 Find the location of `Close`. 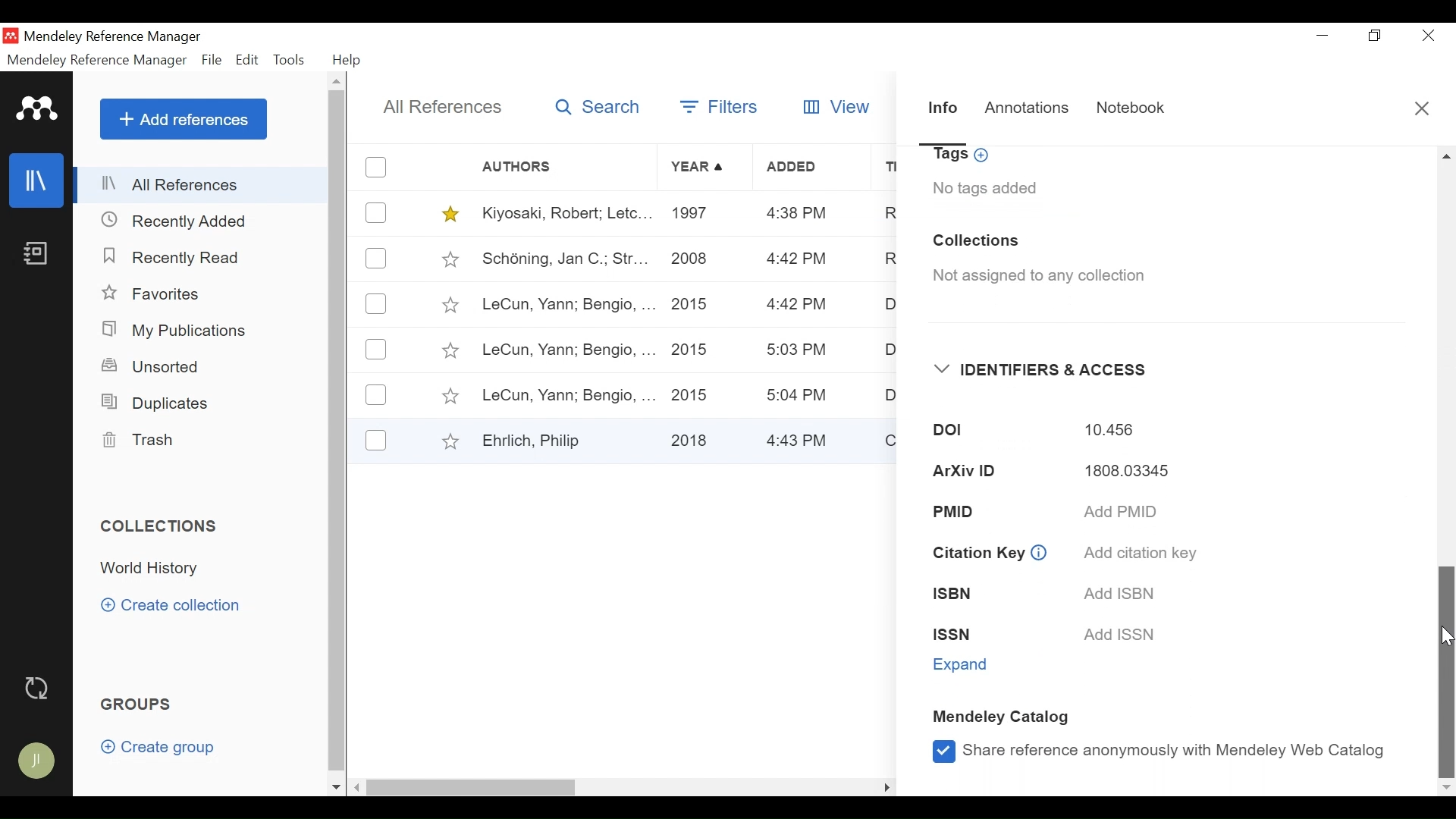

Close is located at coordinates (1425, 36).